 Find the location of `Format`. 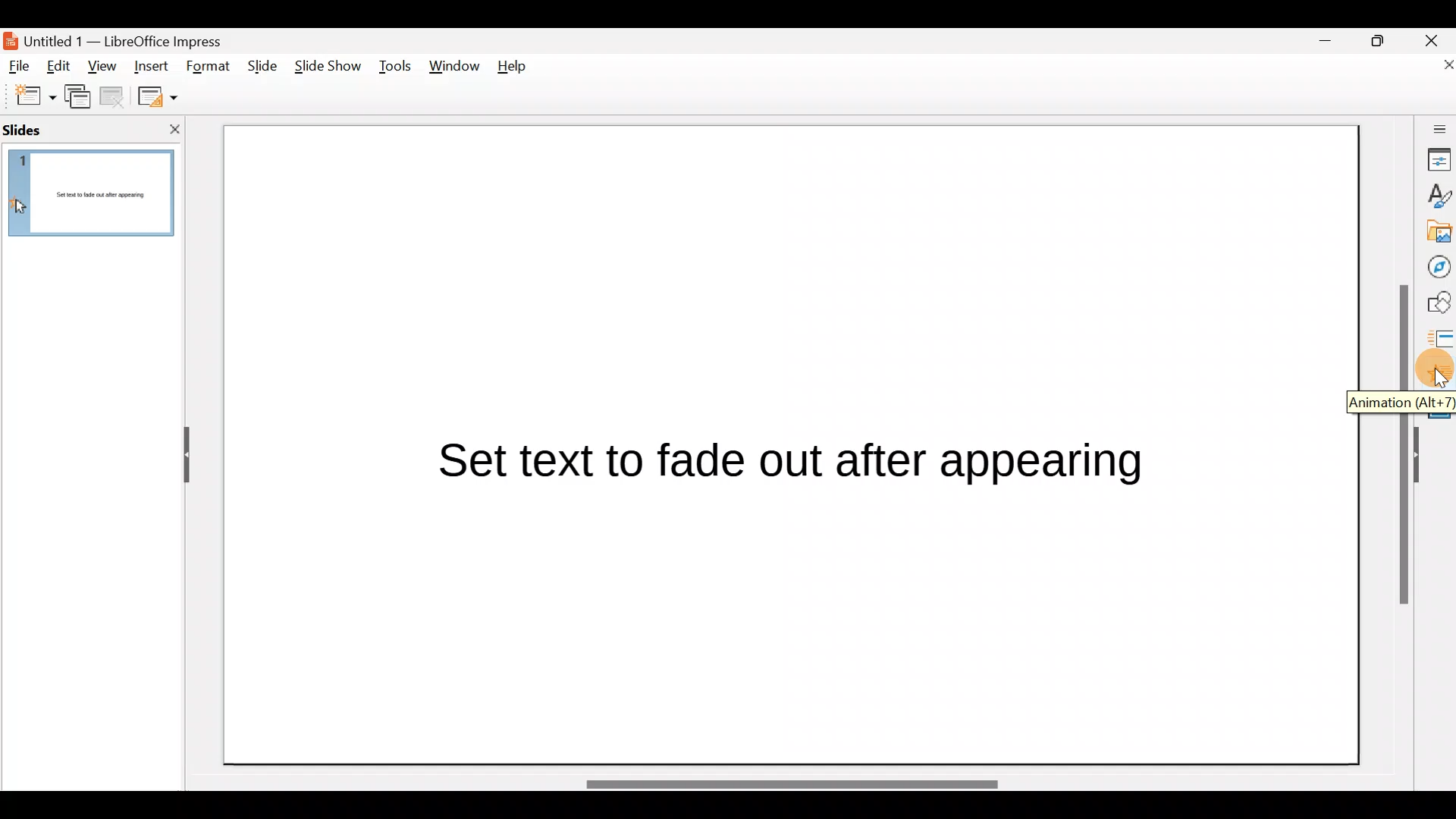

Format is located at coordinates (209, 67).